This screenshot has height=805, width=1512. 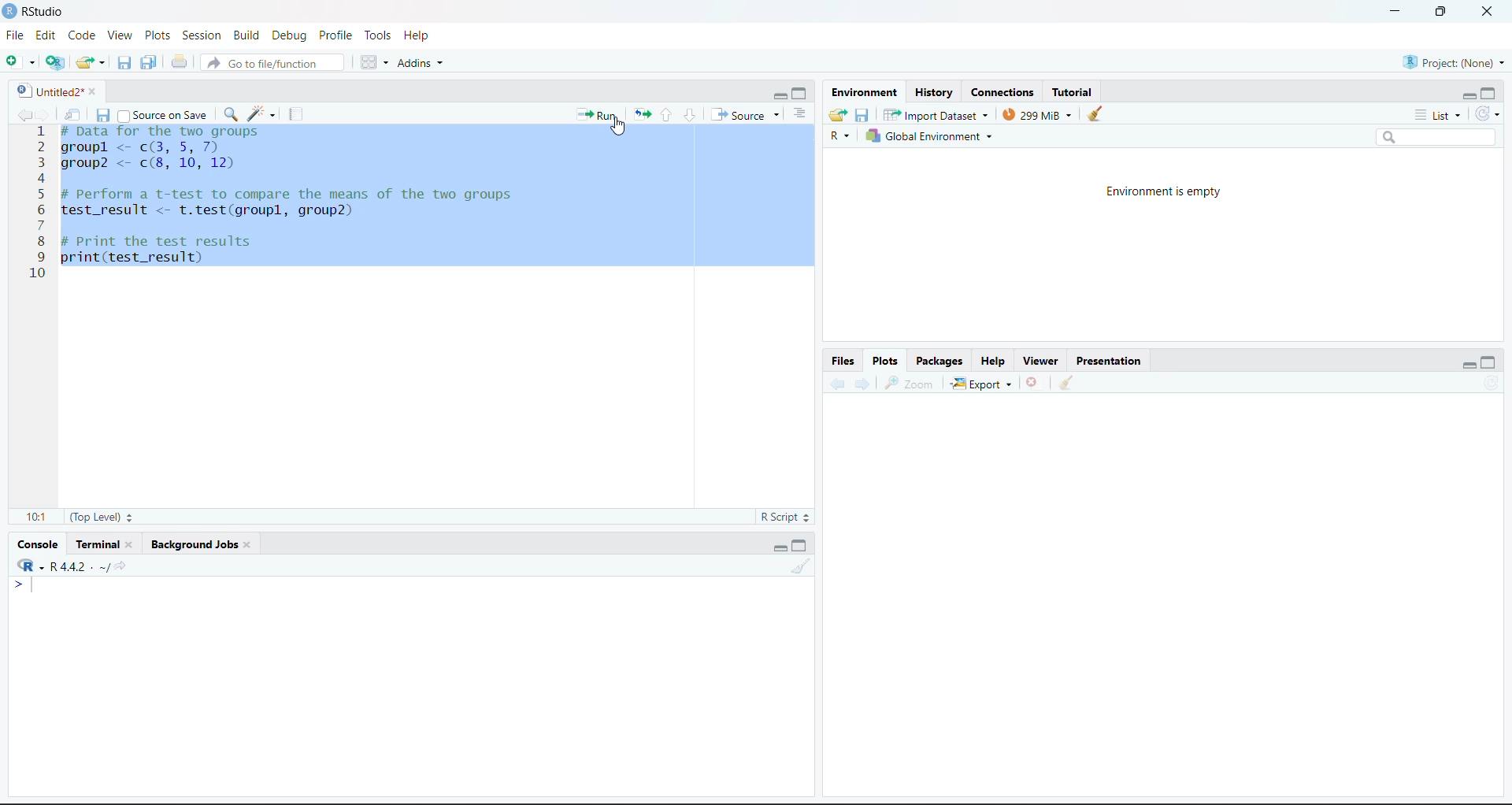 I want to click on (Top level), so click(x=102, y=517).